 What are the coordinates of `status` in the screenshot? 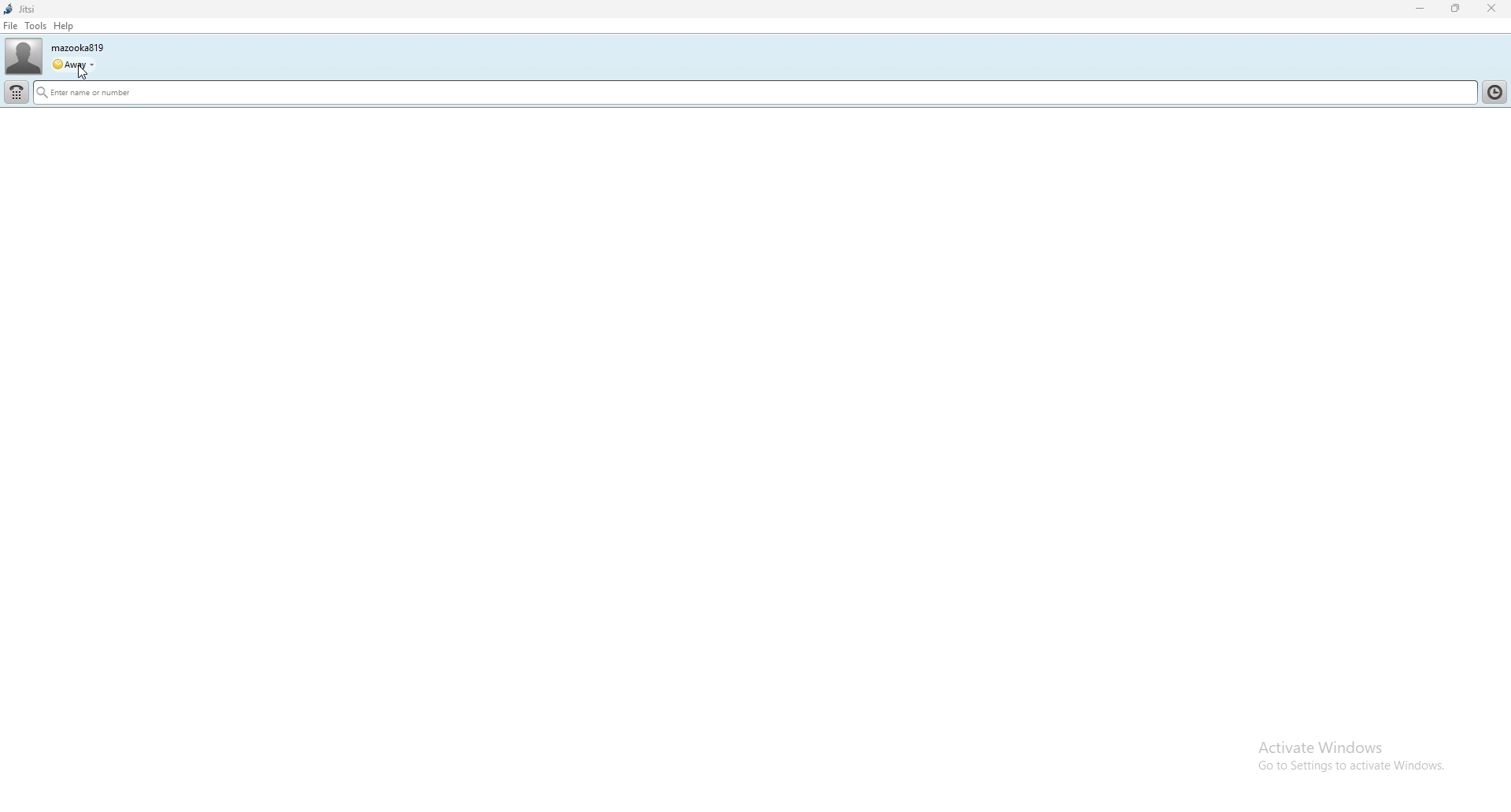 It's located at (72, 65).